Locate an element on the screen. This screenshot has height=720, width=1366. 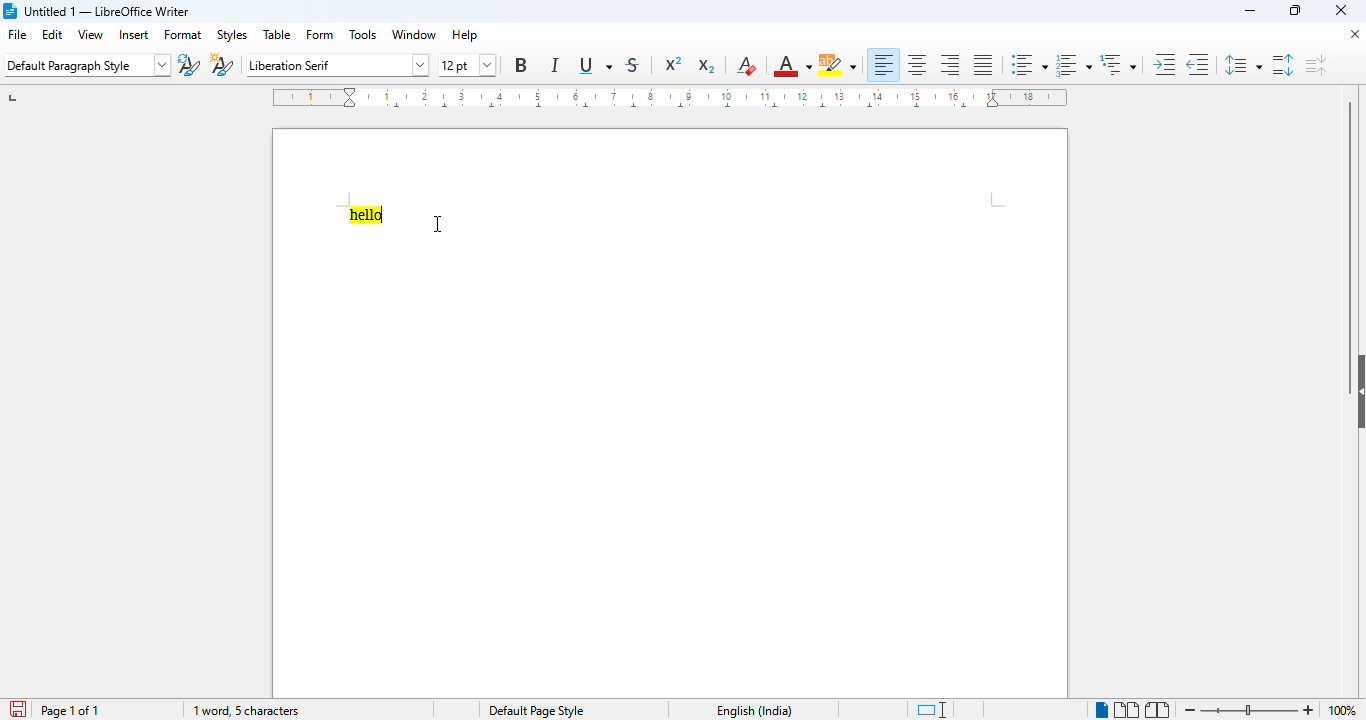
default page style is located at coordinates (530, 710).